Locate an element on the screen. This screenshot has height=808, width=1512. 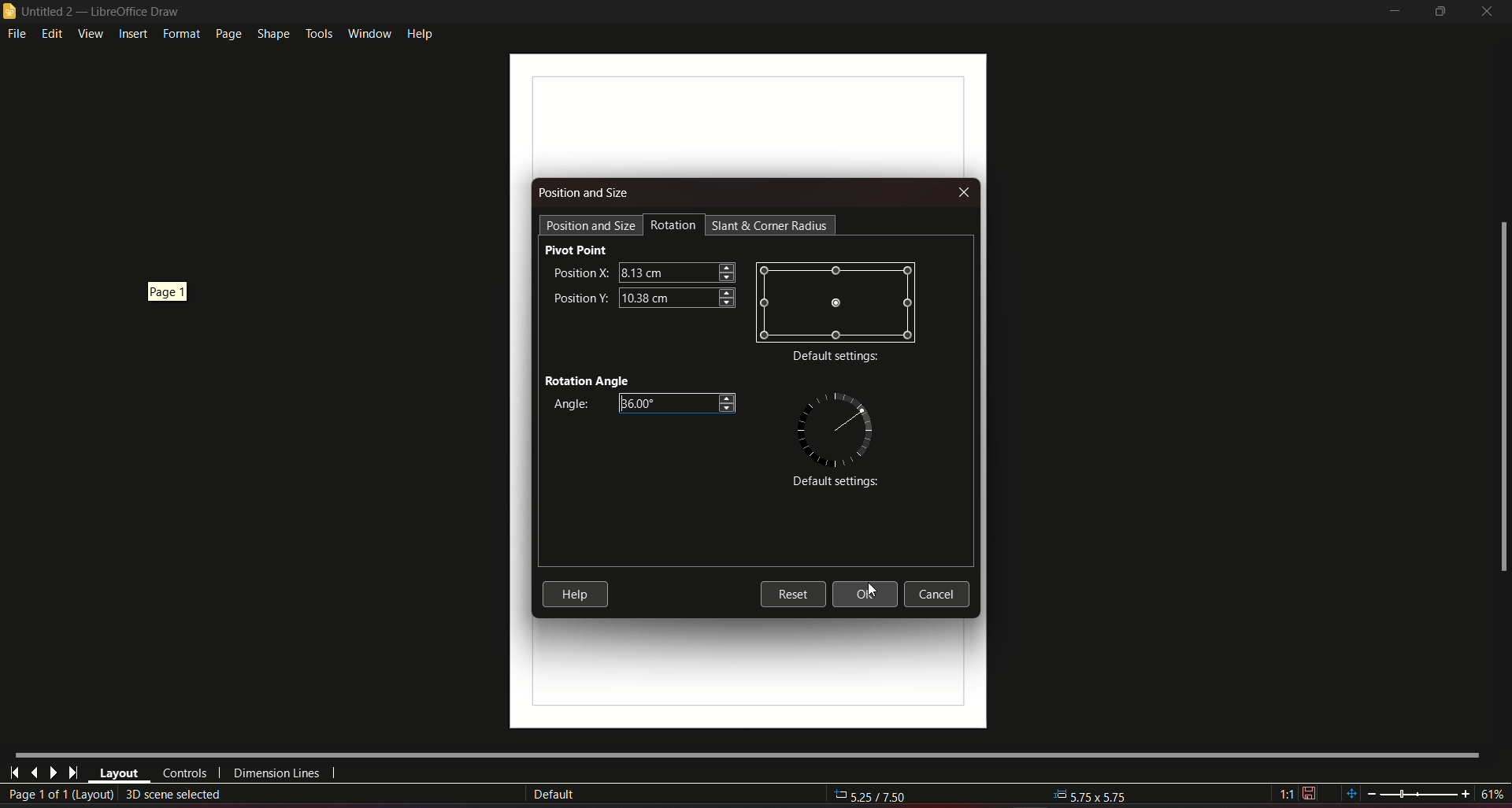
5.25/7.50 is located at coordinates (880, 797).